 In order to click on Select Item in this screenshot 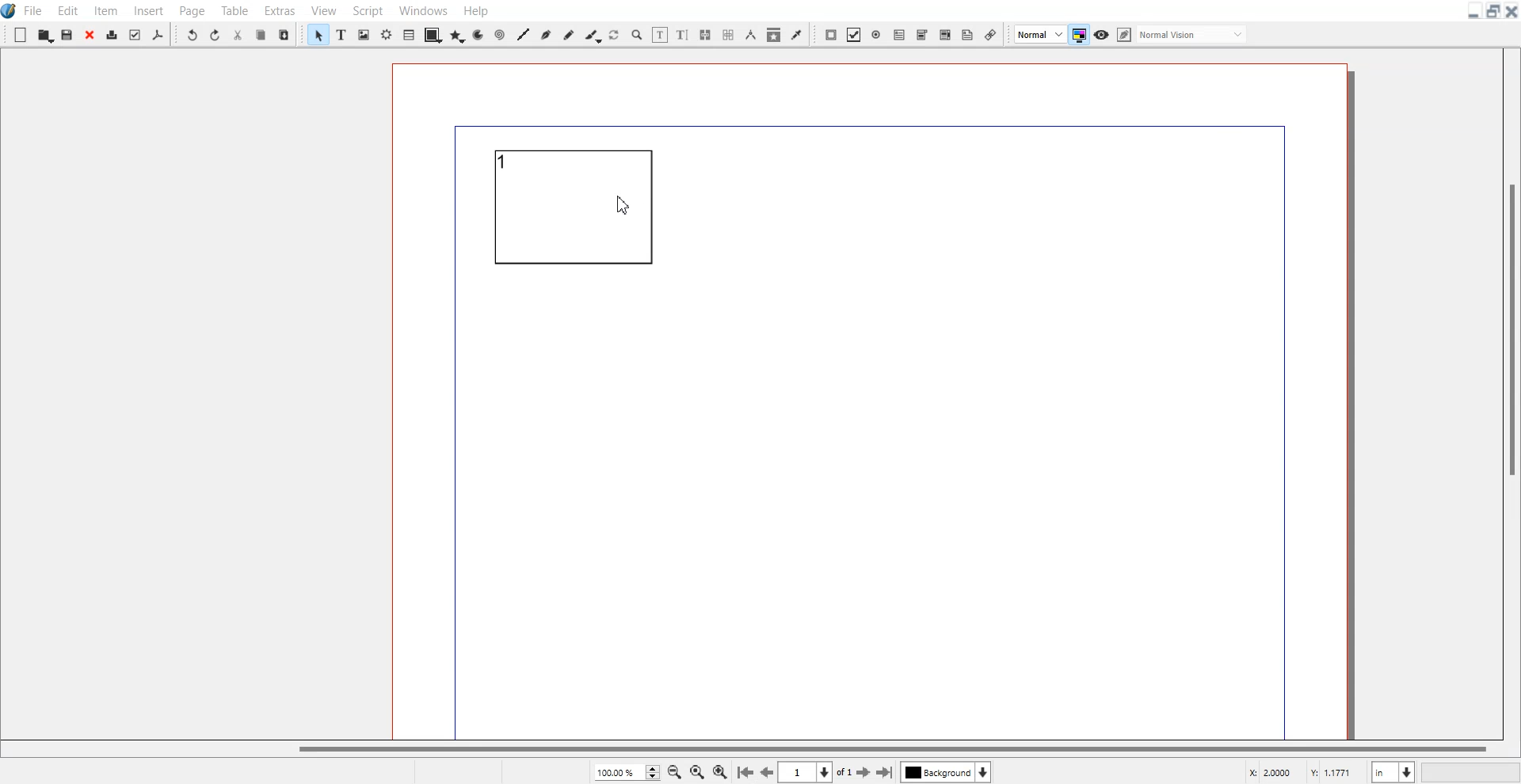, I will do `click(318, 34)`.